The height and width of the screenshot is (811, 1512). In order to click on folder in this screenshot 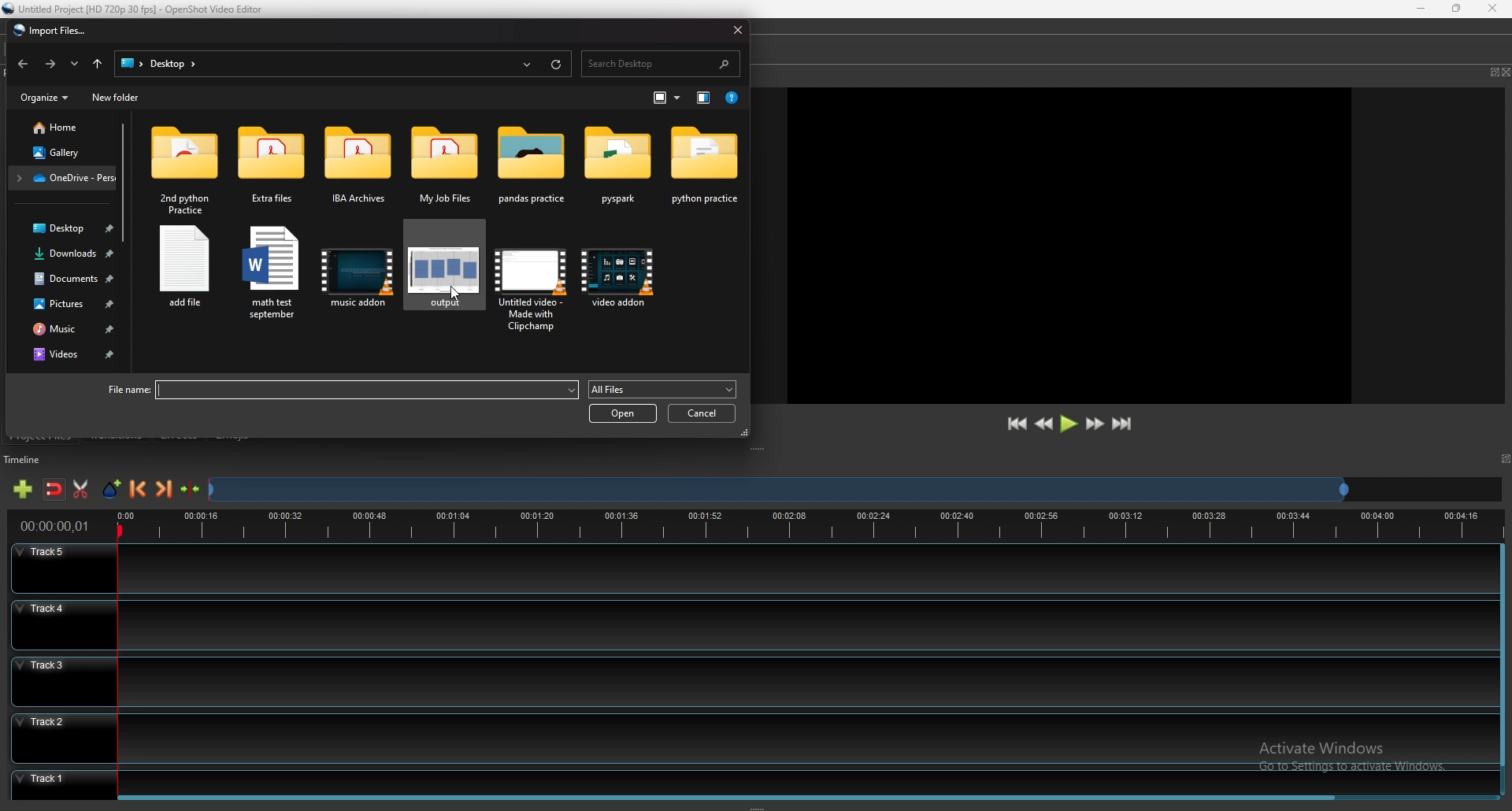, I will do `click(359, 168)`.